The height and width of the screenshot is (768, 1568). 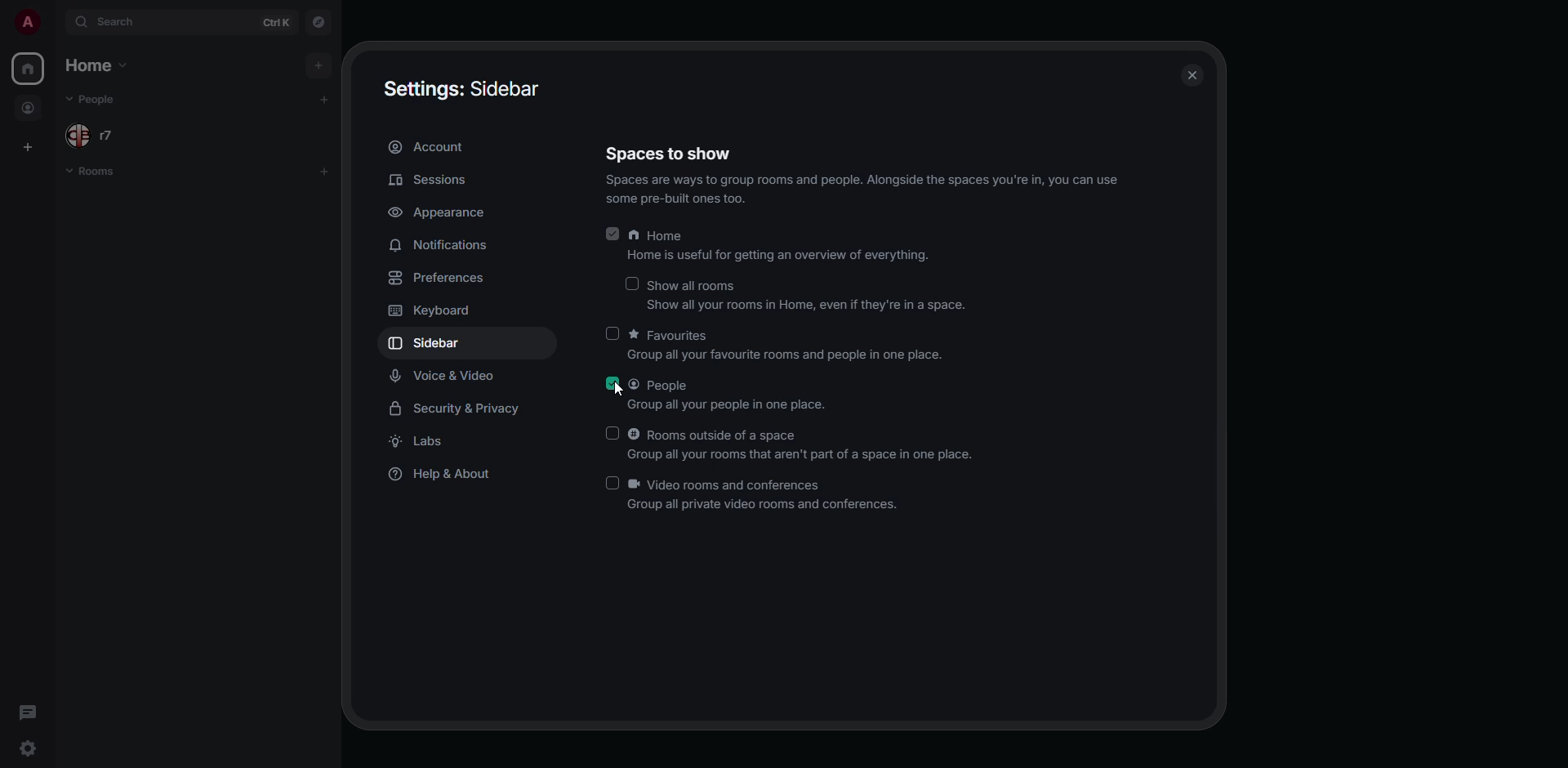 I want to click on keyboard, so click(x=428, y=312).